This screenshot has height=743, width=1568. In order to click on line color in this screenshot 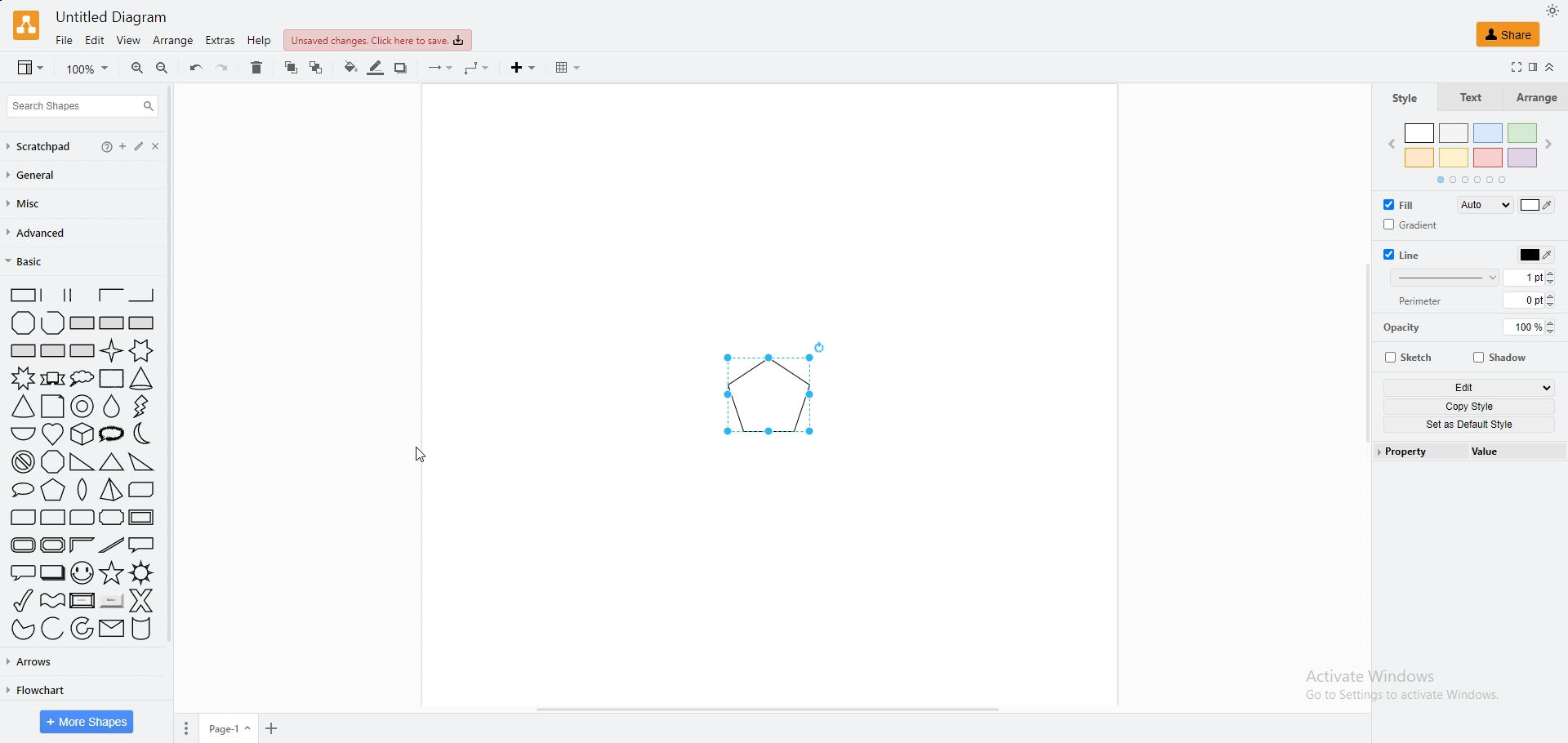, I will do `click(1534, 254)`.